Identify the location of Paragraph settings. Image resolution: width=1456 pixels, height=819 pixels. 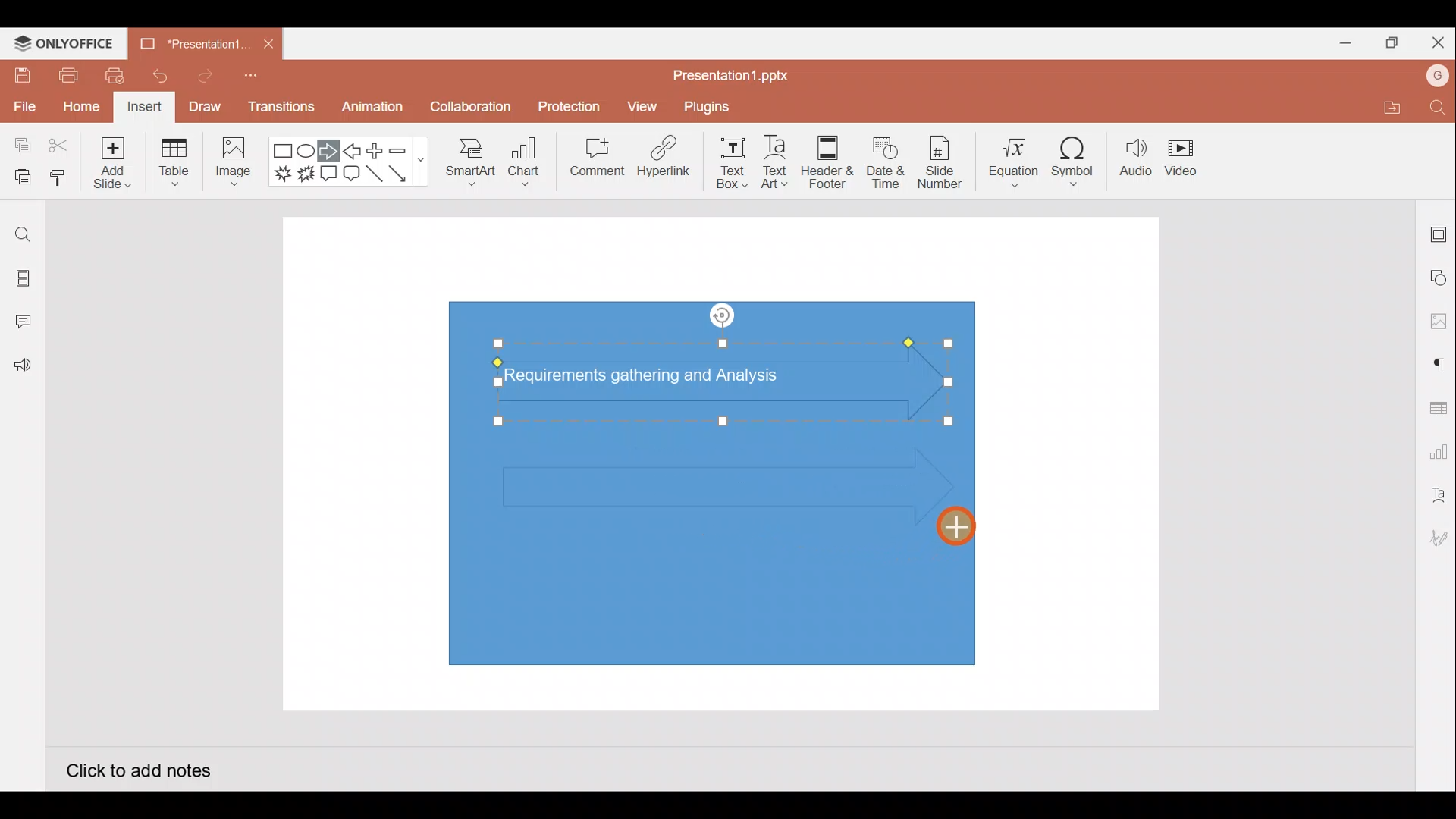
(1438, 362).